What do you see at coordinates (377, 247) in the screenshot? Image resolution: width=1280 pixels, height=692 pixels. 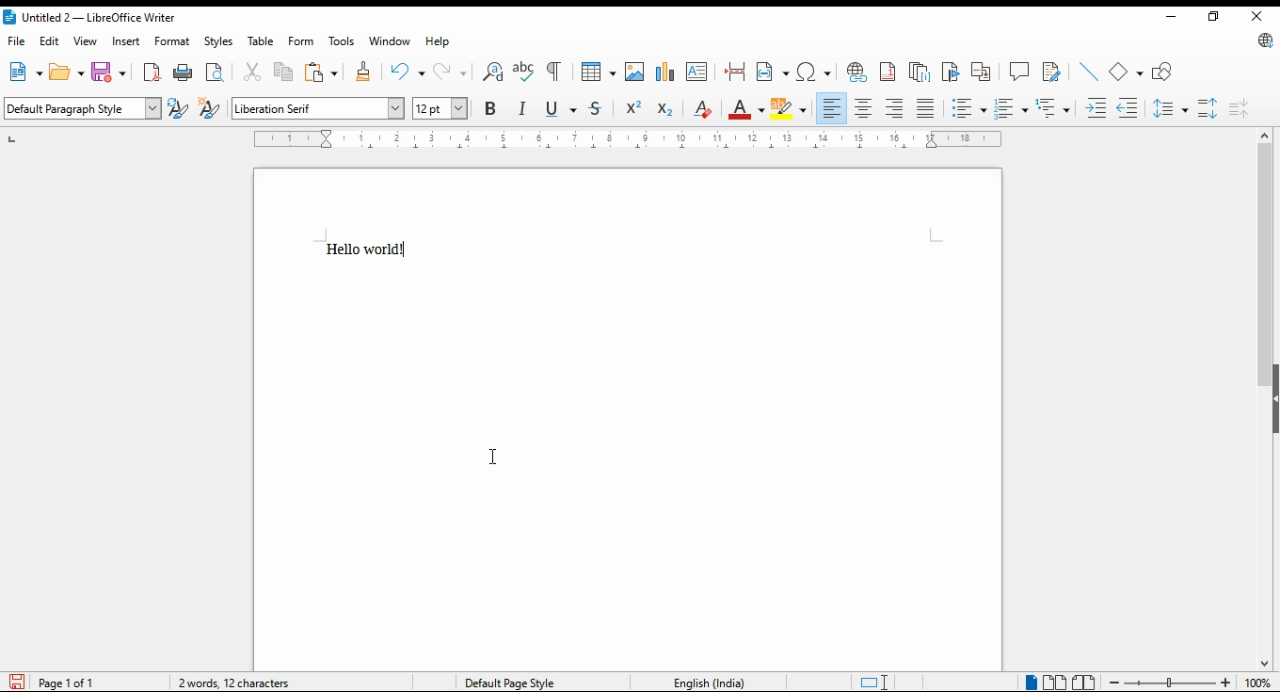 I see `text` at bounding box center [377, 247].